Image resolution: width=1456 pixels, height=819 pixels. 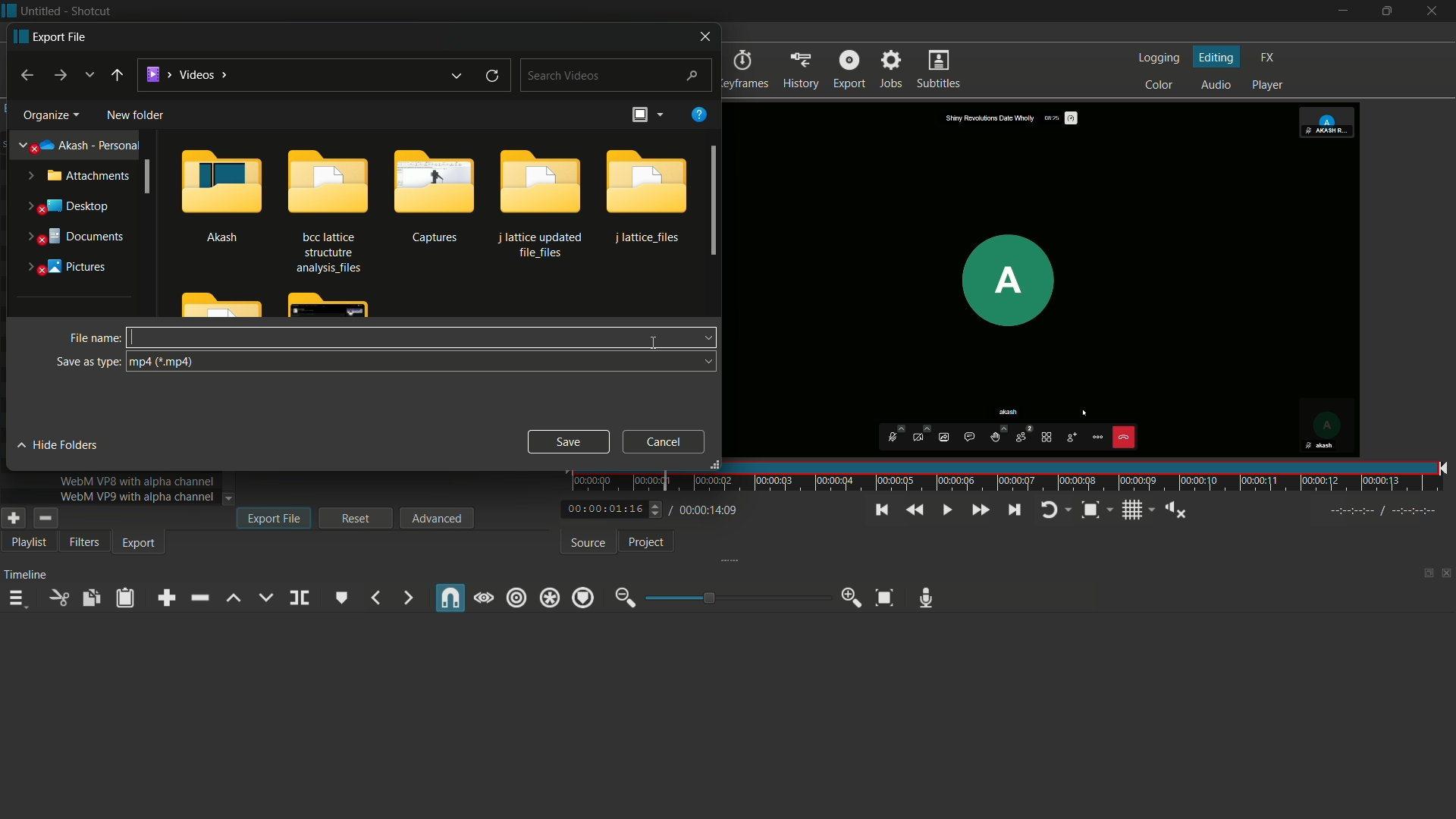 What do you see at coordinates (1433, 11) in the screenshot?
I see `close app` at bounding box center [1433, 11].